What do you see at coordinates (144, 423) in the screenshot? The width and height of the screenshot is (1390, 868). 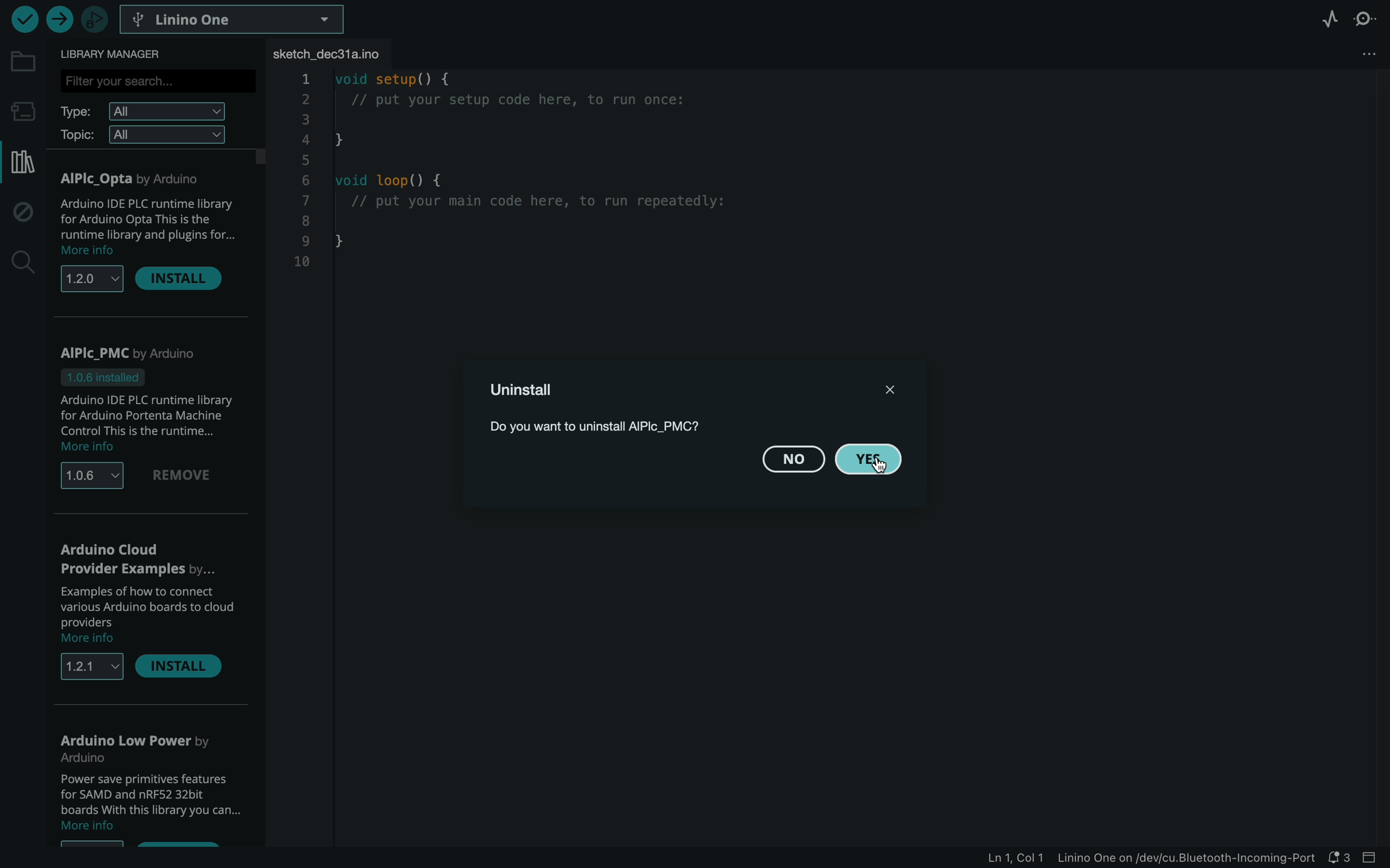 I see `description` at bounding box center [144, 423].